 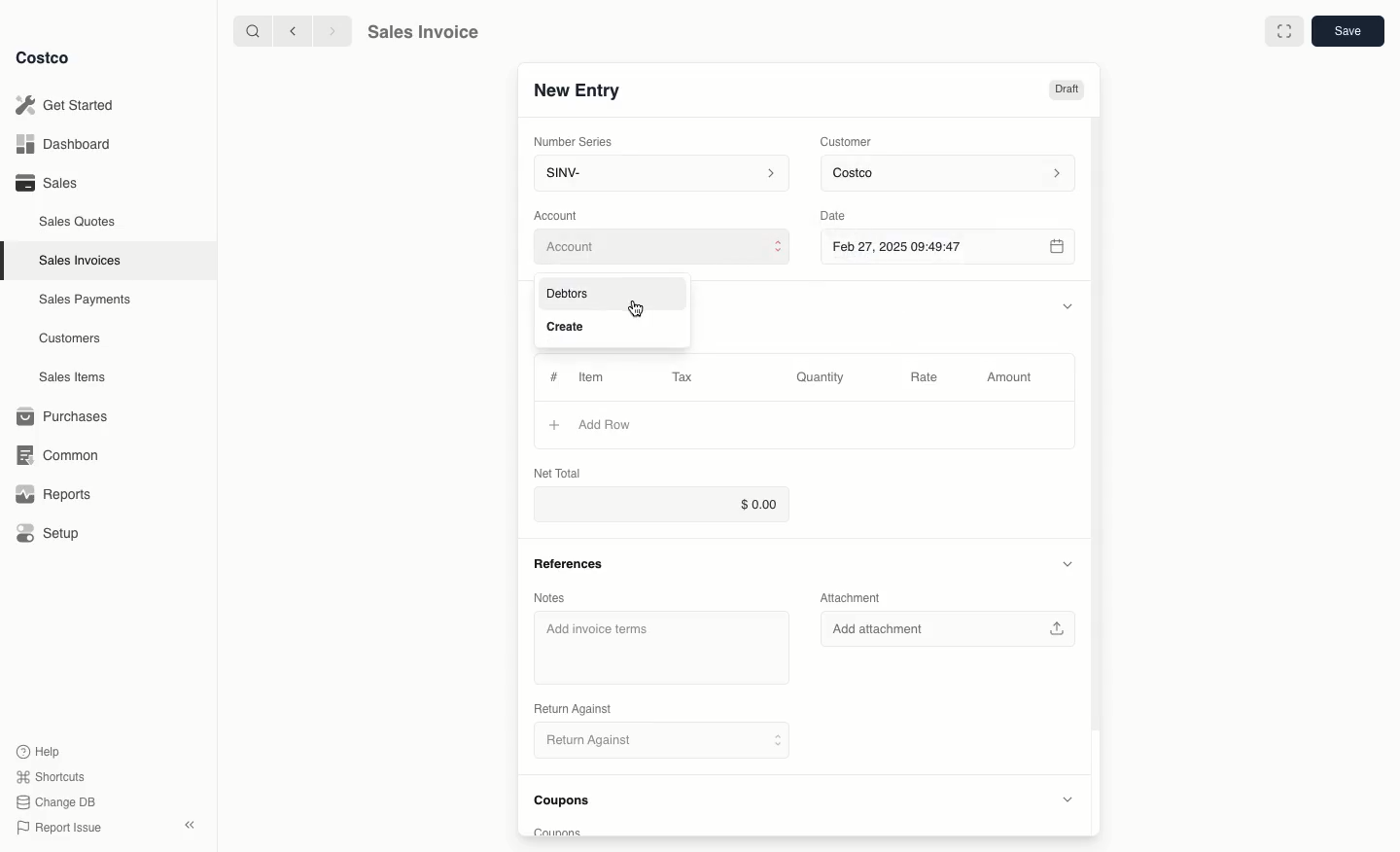 What do you see at coordinates (638, 310) in the screenshot?
I see `cursor` at bounding box center [638, 310].